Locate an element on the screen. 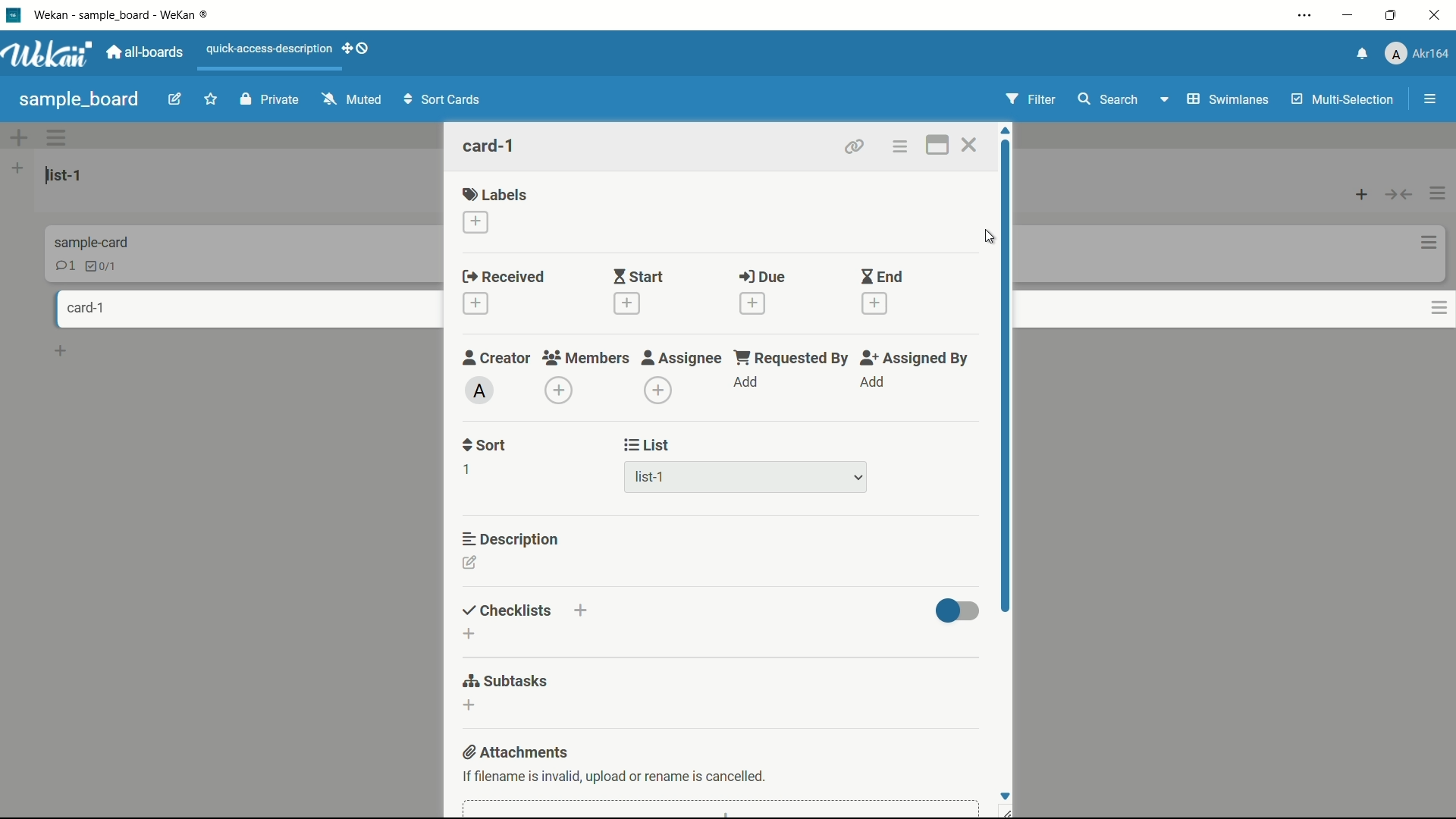  card-1 is located at coordinates (83, 308).